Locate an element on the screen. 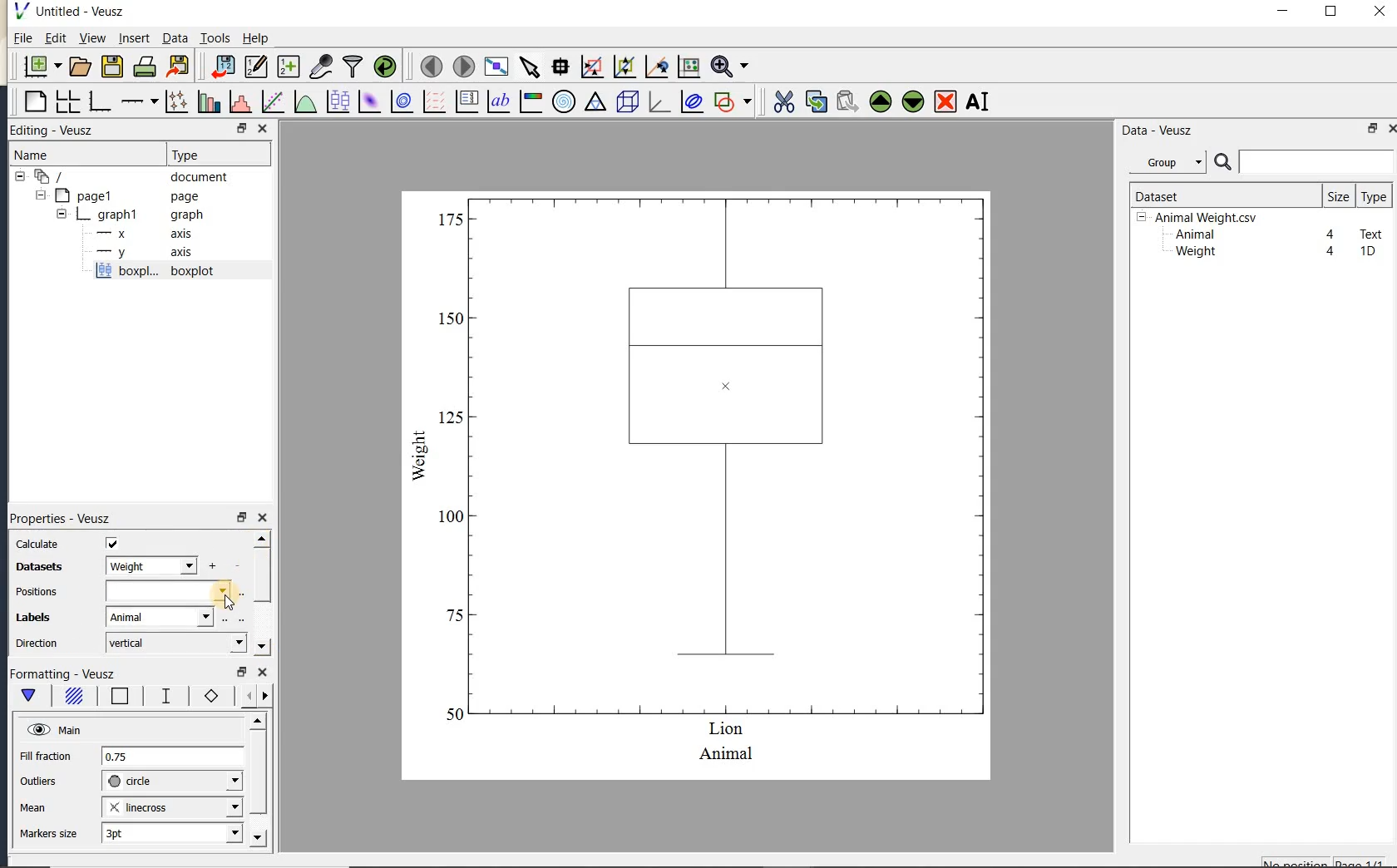 This screenshot has width=1397, height=868. plot key is located at coordinates (465, 101).